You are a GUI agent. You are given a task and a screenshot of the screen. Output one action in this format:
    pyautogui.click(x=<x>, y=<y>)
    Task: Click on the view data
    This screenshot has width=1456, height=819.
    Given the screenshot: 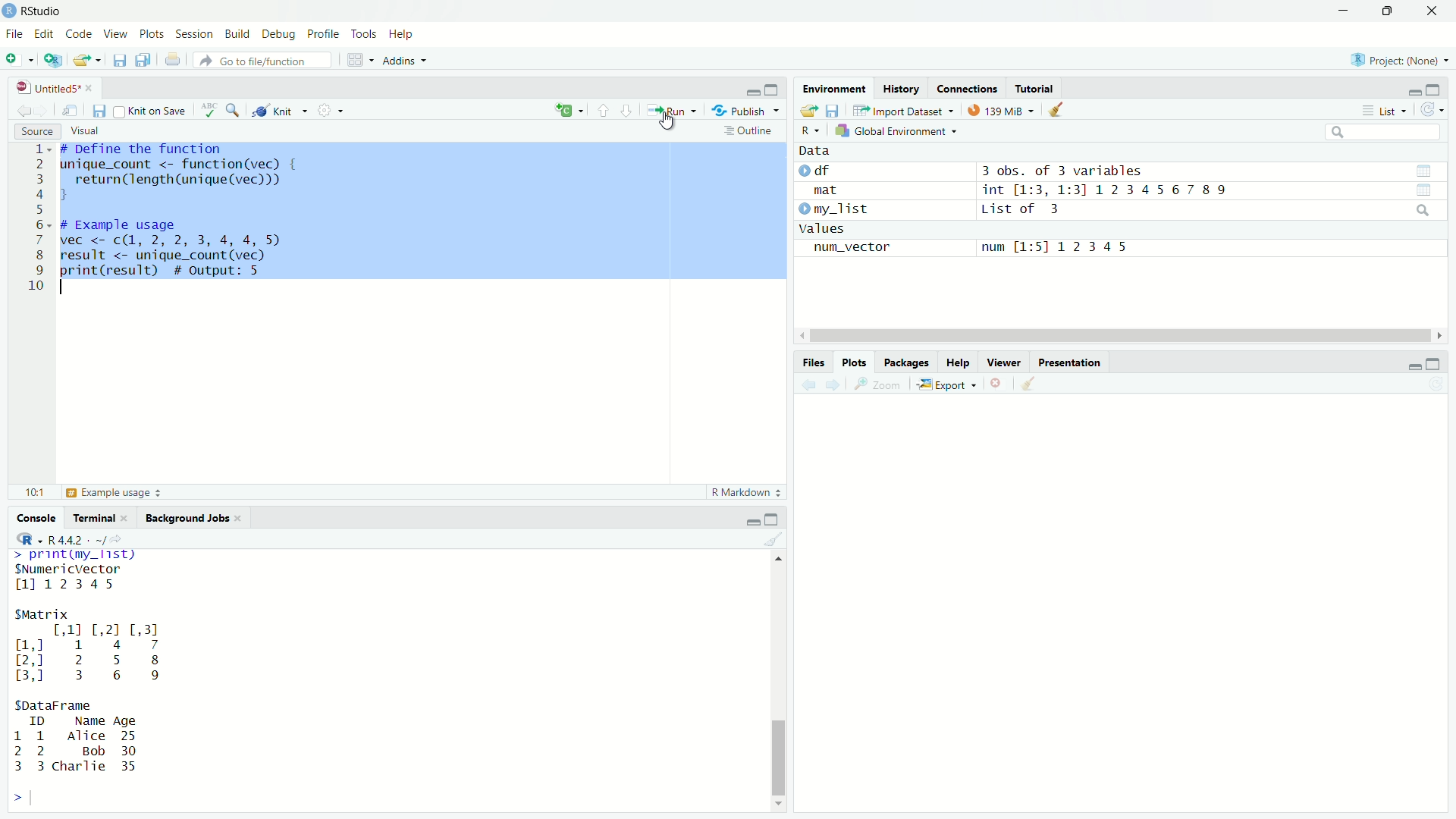 What is the action you would take?
    pyautogui.click(x=1423, y=191)
    